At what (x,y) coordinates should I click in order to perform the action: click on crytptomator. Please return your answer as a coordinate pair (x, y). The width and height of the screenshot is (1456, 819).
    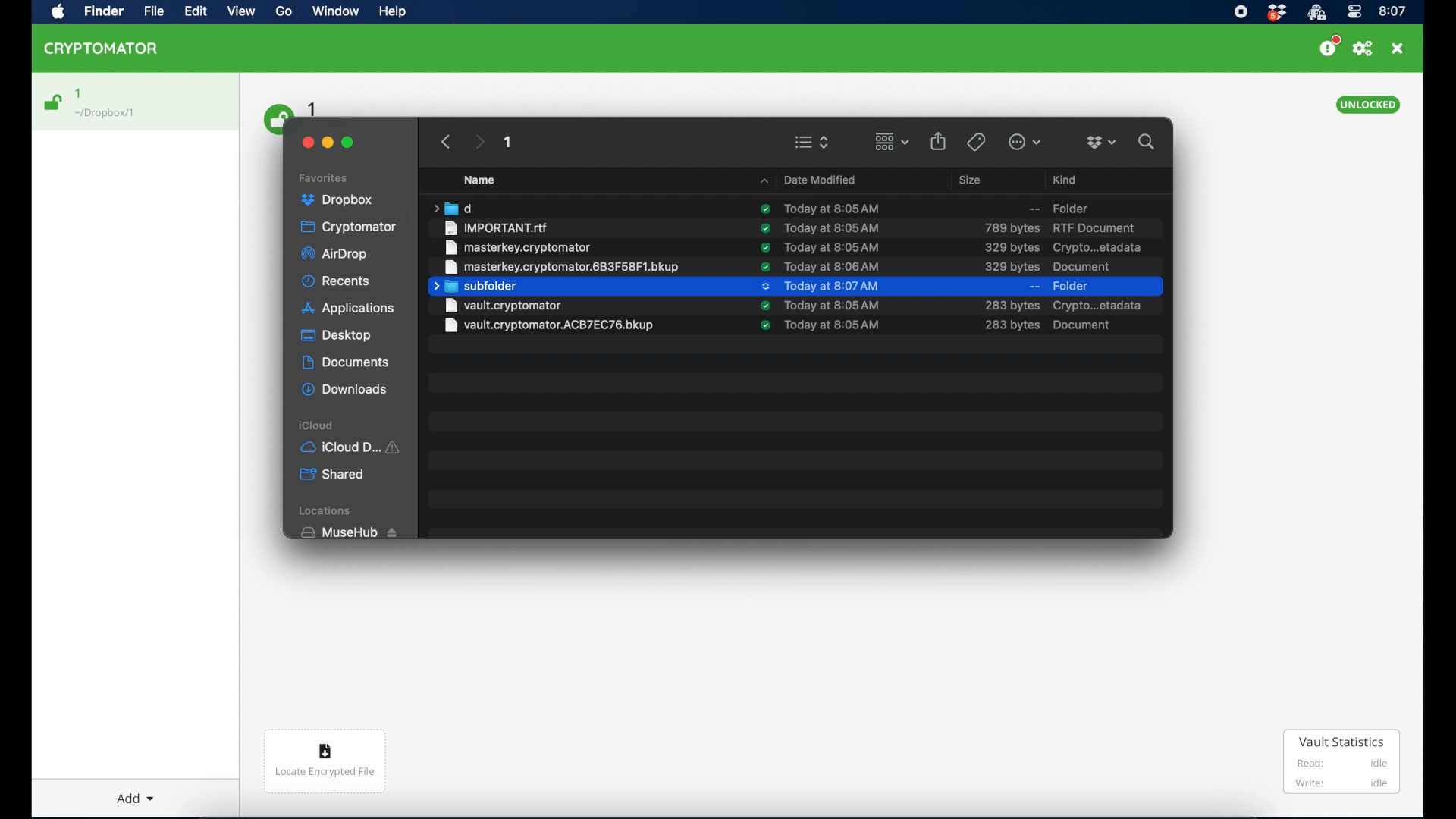
    Looking at the image, I should click on (1316, 13).